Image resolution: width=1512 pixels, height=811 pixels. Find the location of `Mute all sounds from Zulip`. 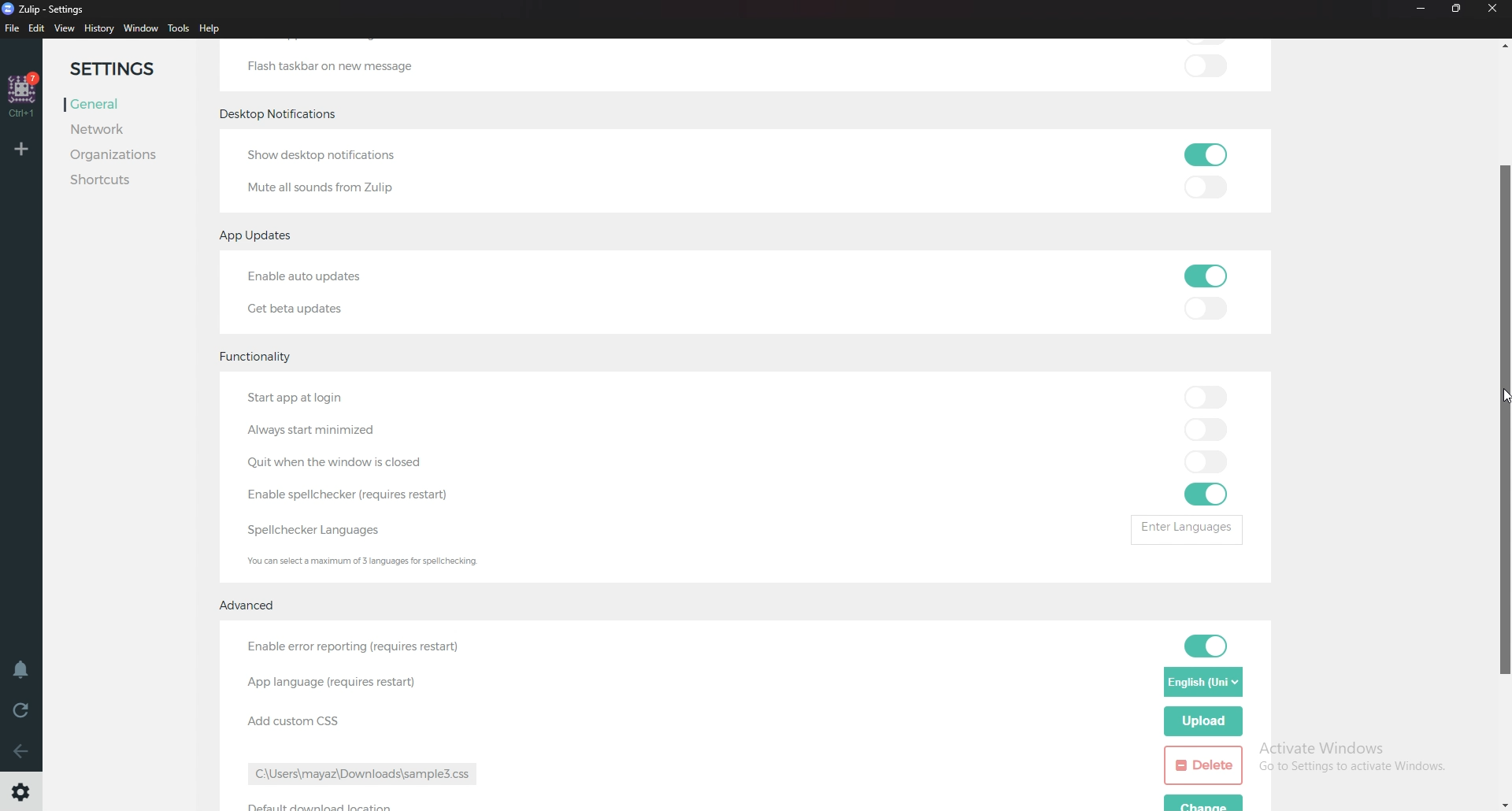

Mute all sounds from Zulip is located at coordinates (320, 187).